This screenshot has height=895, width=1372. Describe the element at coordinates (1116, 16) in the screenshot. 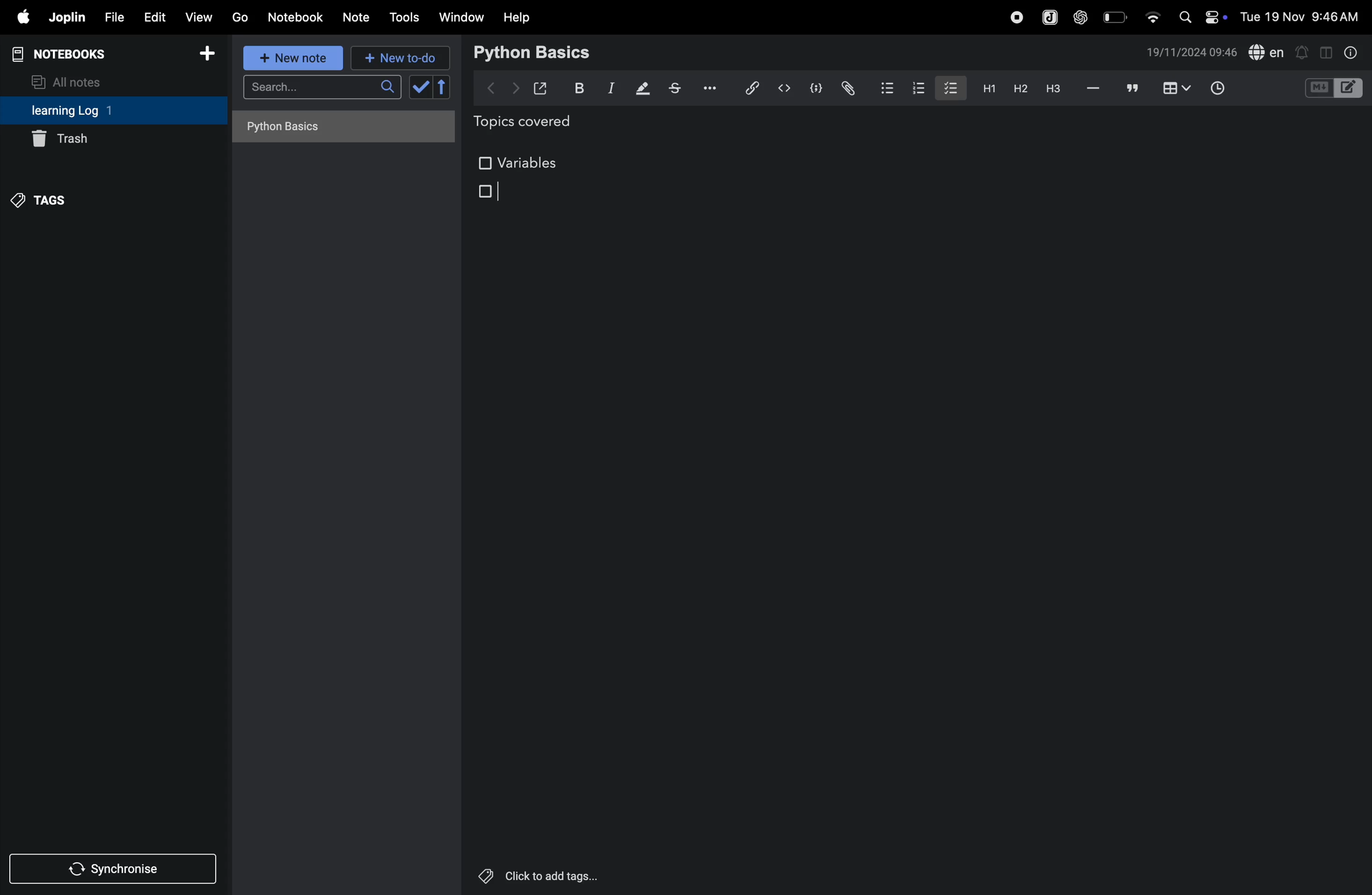

I see `battery` at that location.